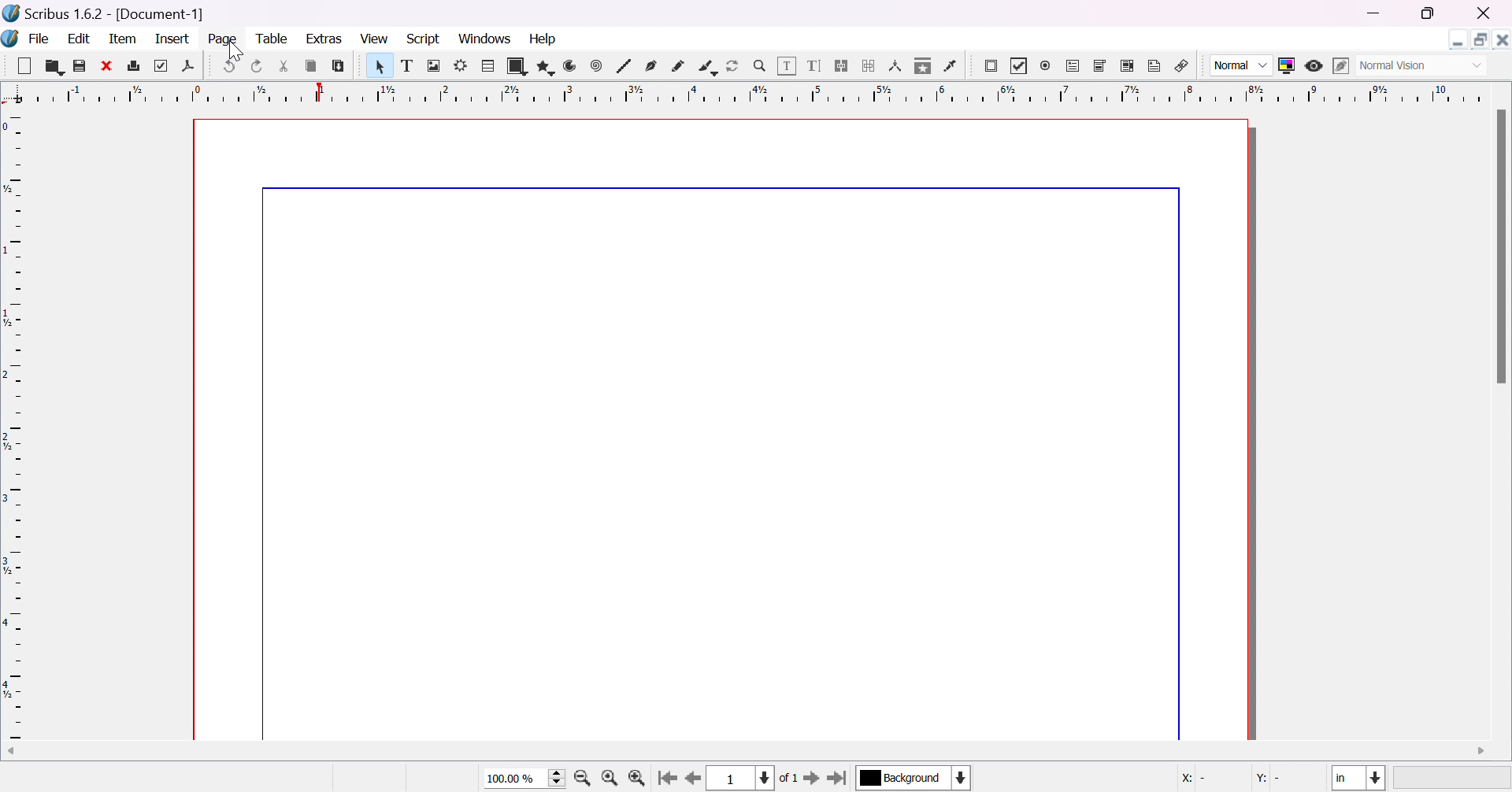 This screenshot has width=1512, height=792. What do you see at coordinates (105, 11) in the screenshot?
I see `scribus 1.6.2 [Document-1]` at bounding box center [105, 11].